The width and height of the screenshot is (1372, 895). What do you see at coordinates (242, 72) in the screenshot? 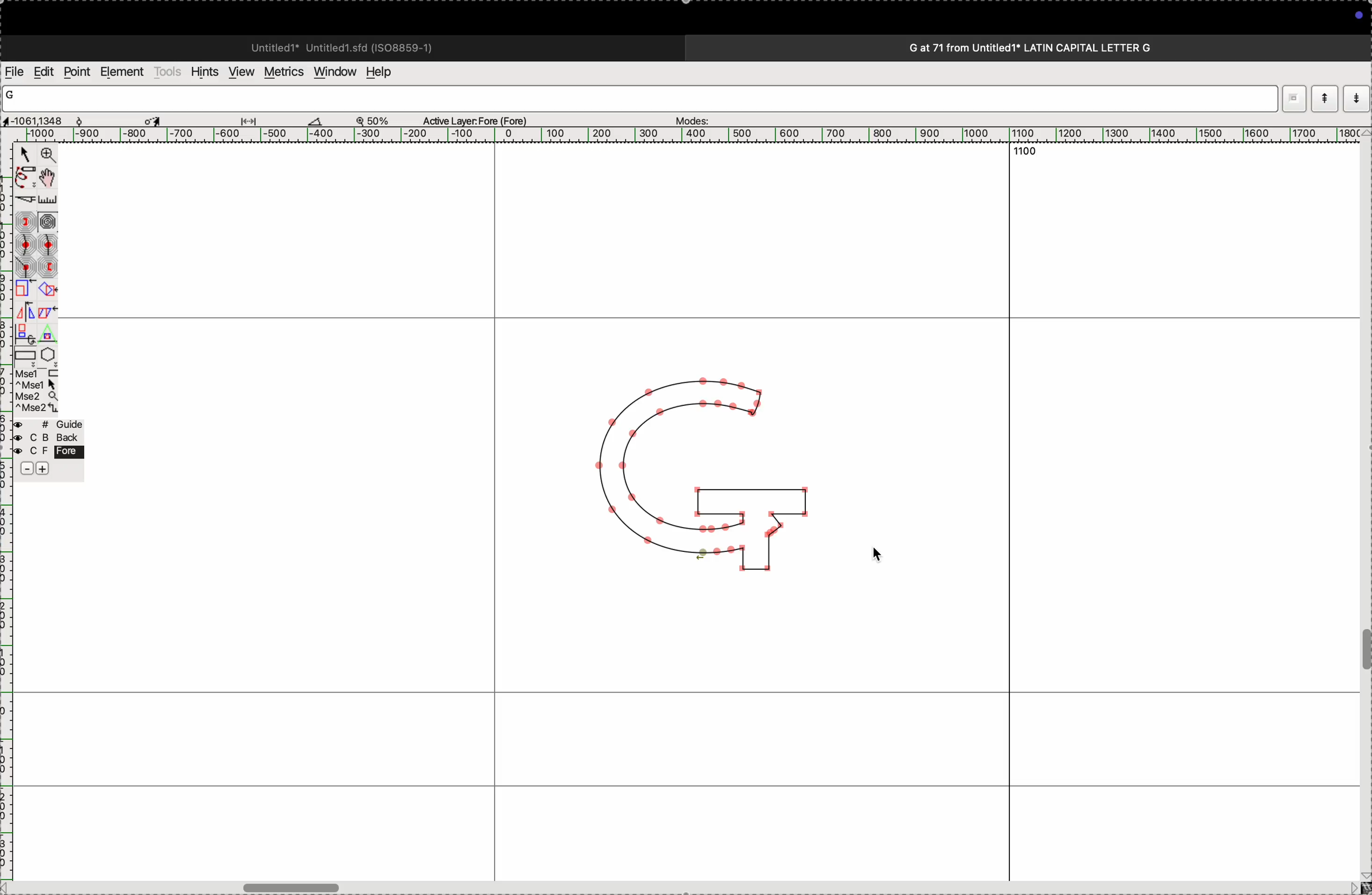
I see `view` at bounding box center [242, 72].